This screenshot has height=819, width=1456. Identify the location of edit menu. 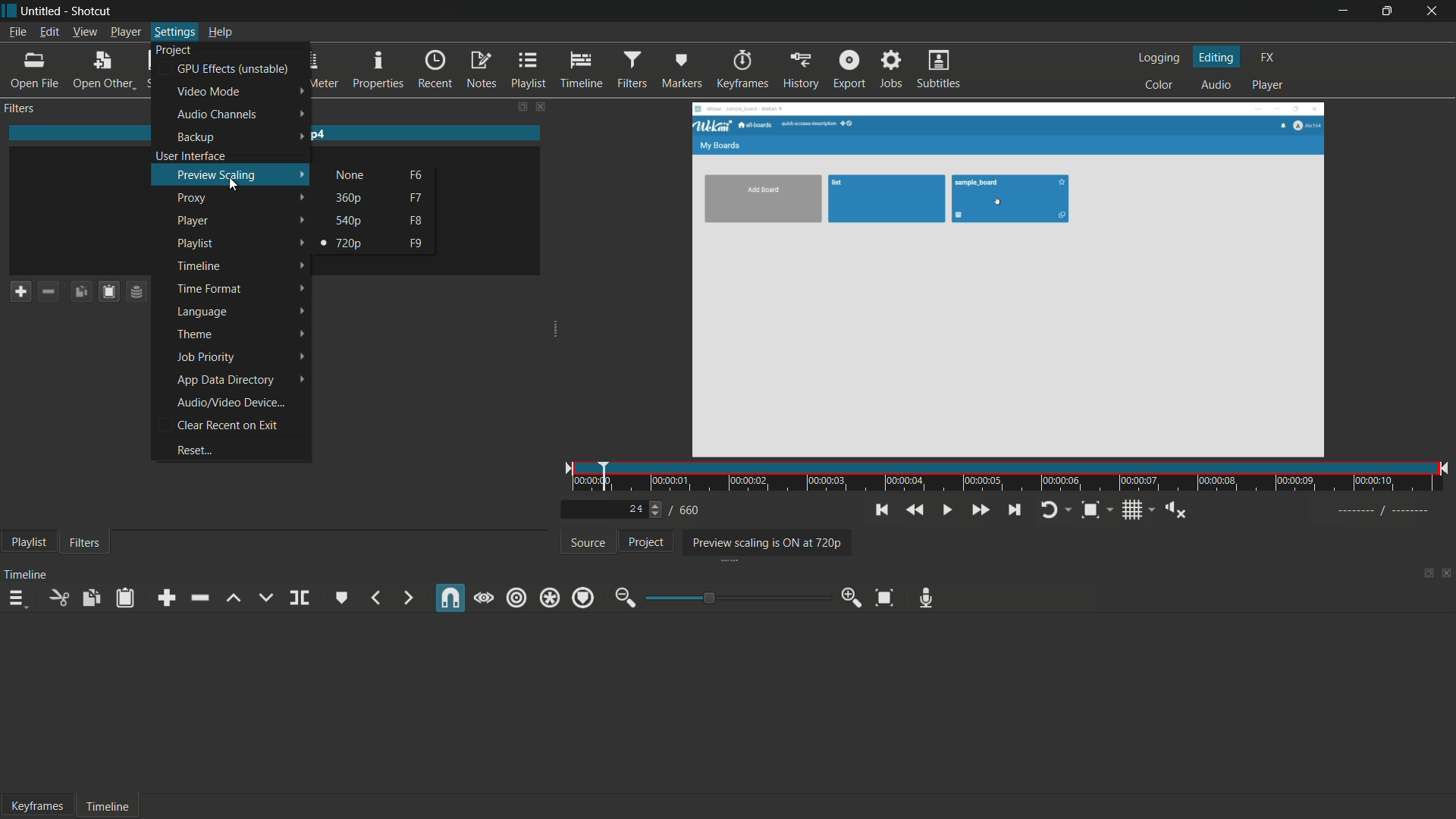
(51, 32).